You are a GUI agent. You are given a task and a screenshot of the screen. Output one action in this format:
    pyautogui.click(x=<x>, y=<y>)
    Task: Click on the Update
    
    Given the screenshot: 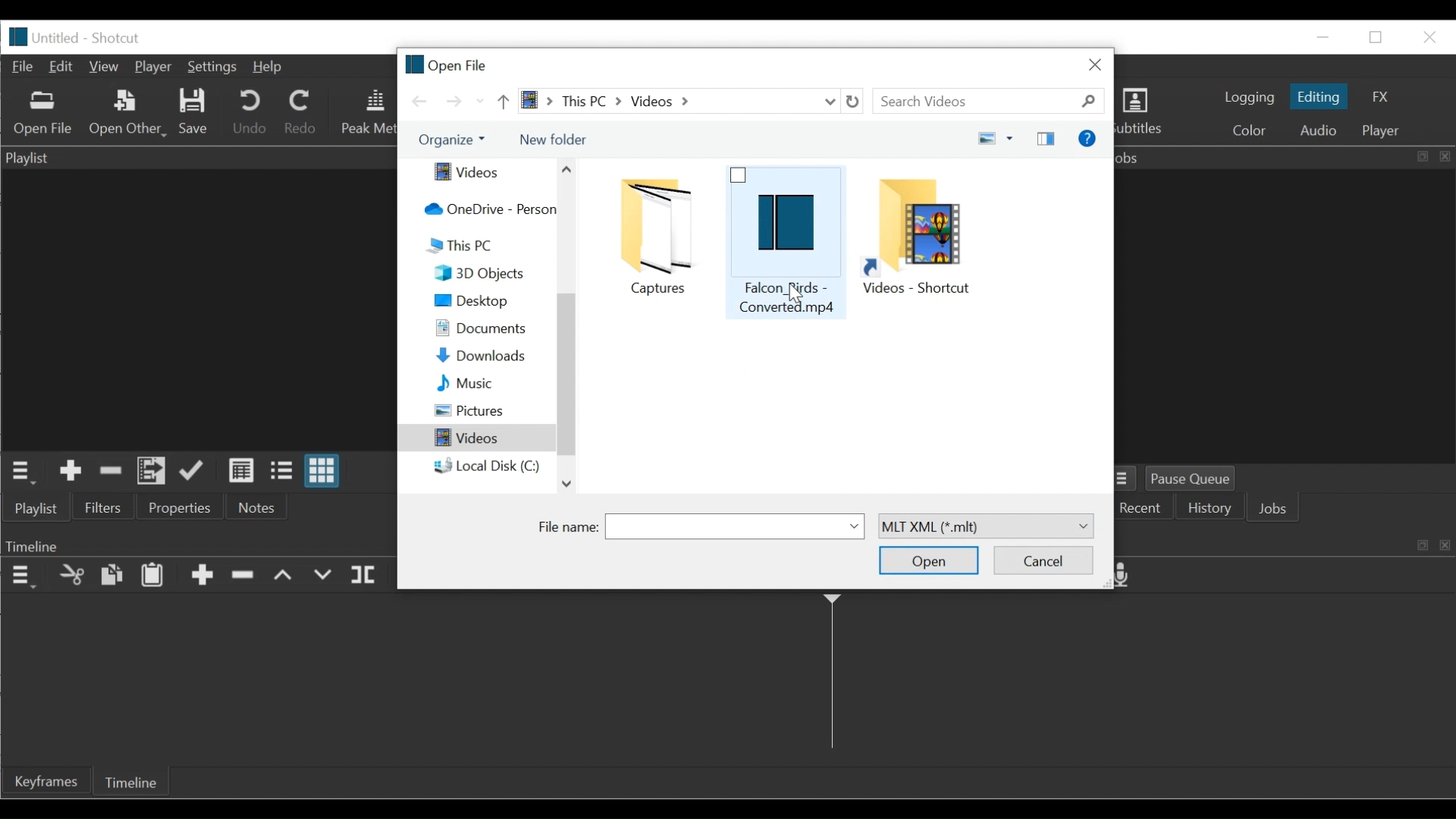 What is the action you would take?
    pyautogui.click(x=196, y=472)
    